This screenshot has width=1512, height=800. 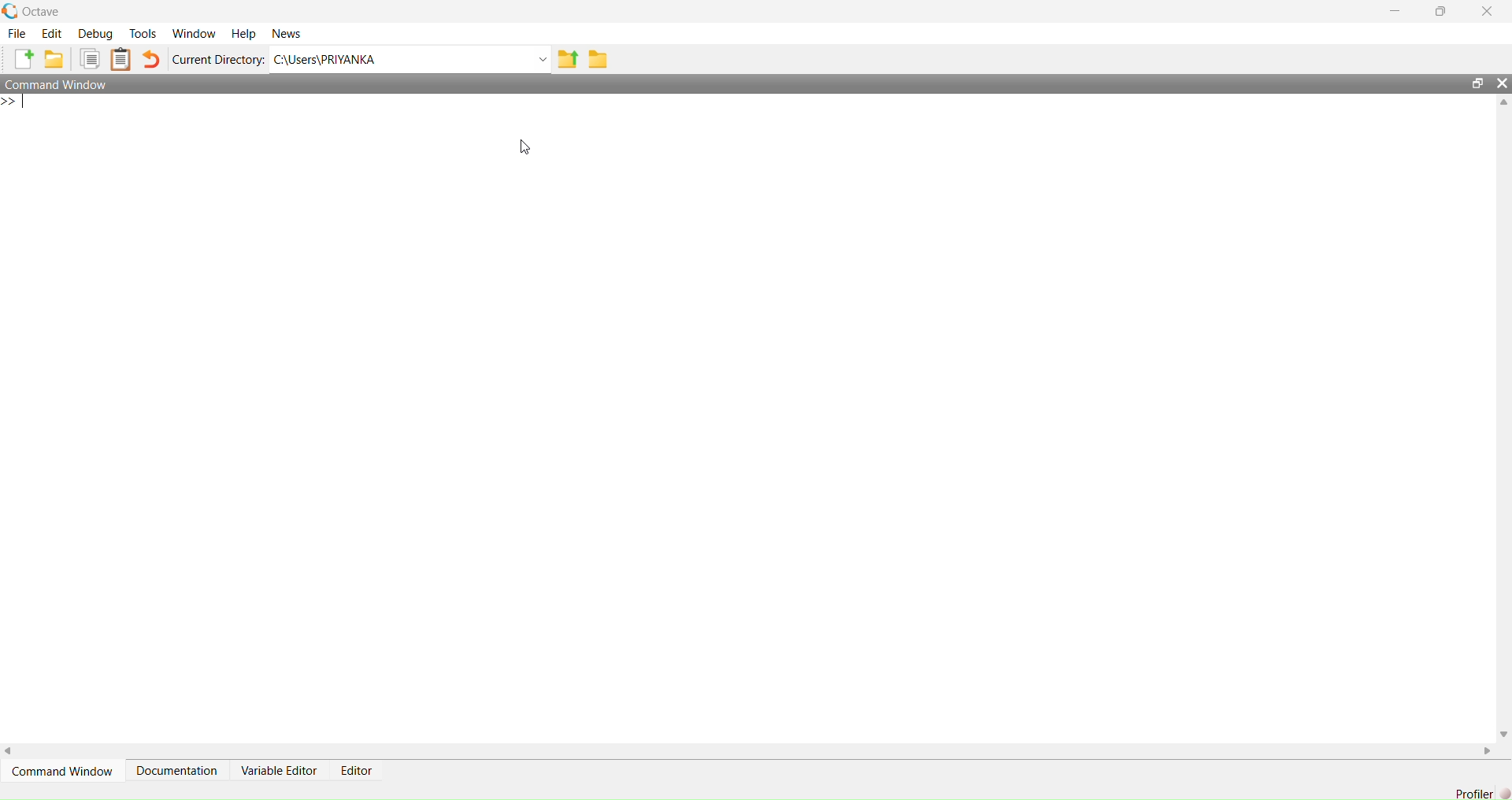 What do you see at coordinates (1490, 750) in the screenshot?
I see `Right` at bounding box center [1490, 750].